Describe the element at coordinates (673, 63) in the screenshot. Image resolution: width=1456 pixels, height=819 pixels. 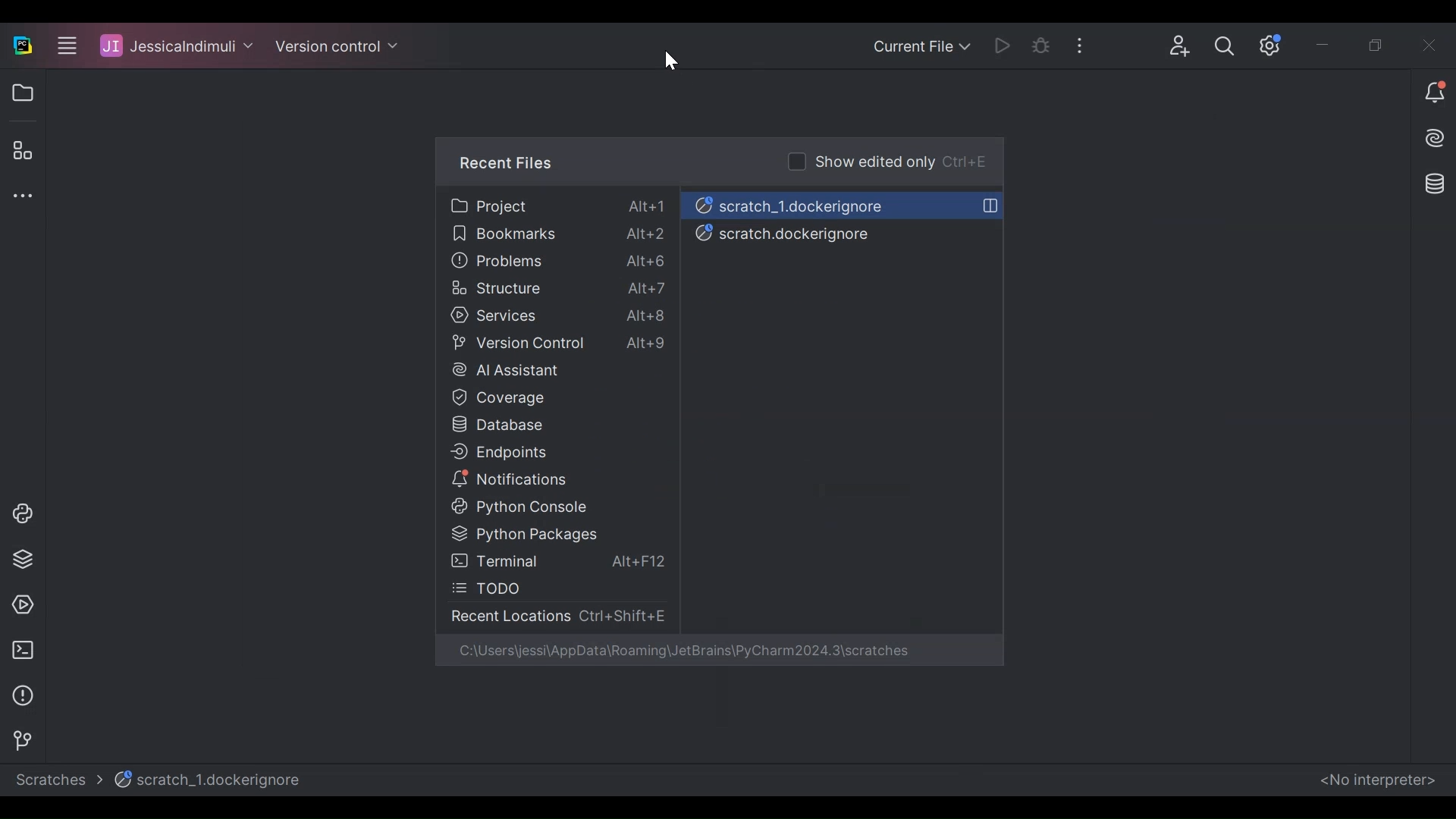
I see `Cursor` at that location.